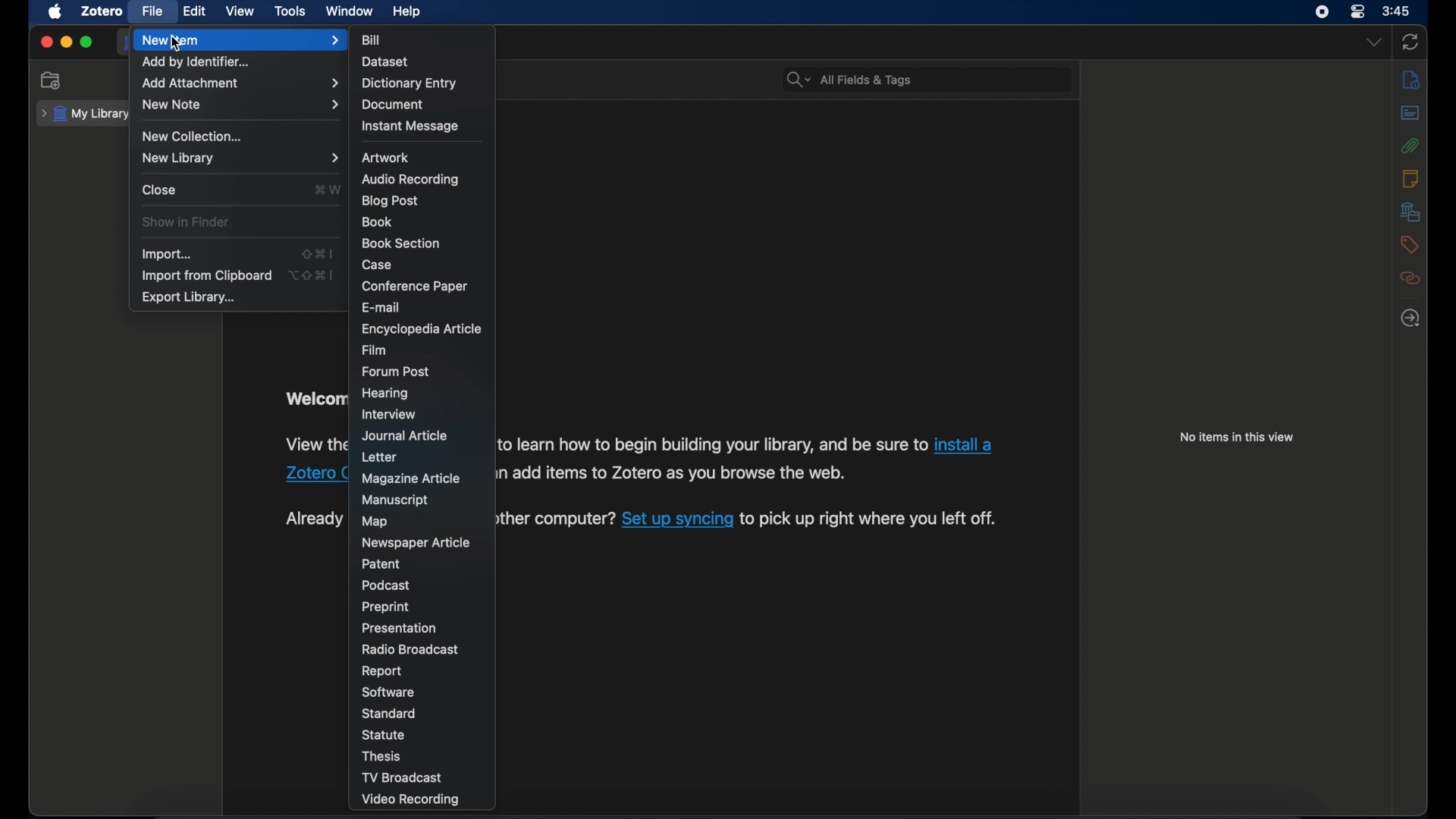  I want to click on maximize, so click(88, 42).